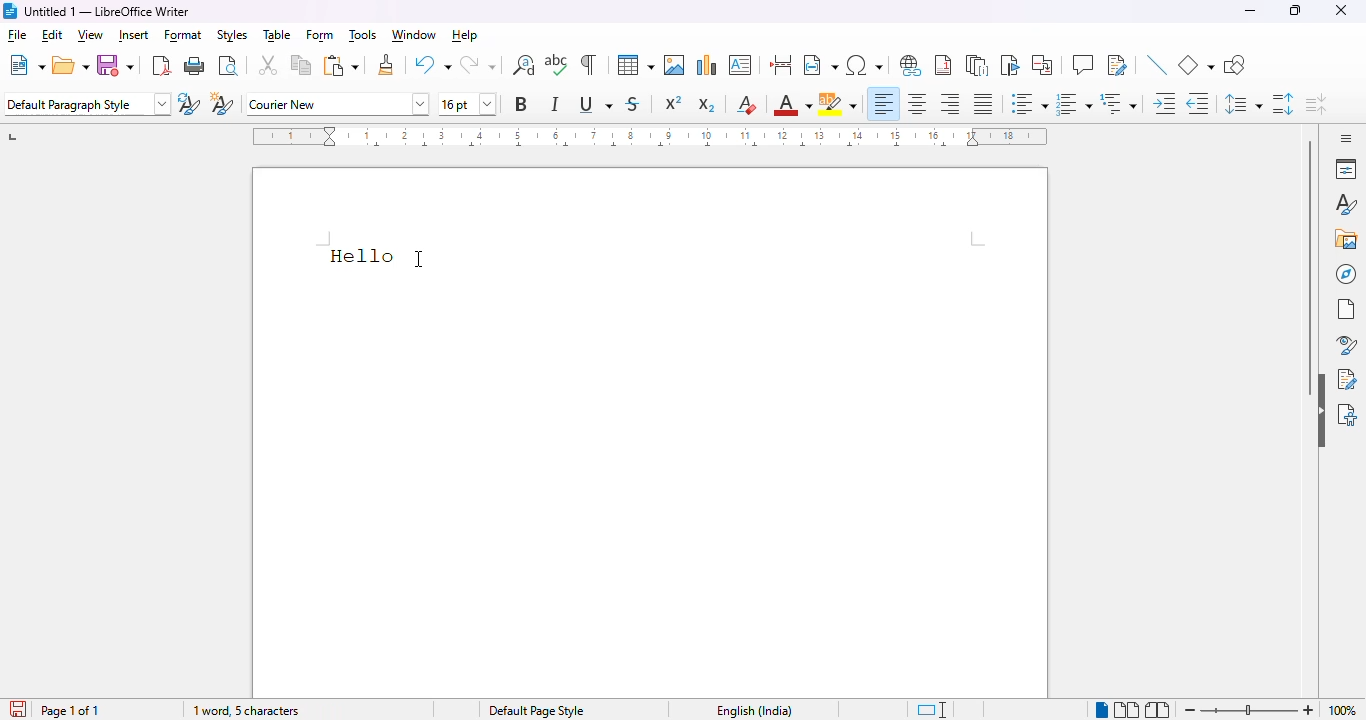 The image size is (1366, 720). Describe the element at coordinates (740, 65) in the screenshot. I see `insert text box` at that location.